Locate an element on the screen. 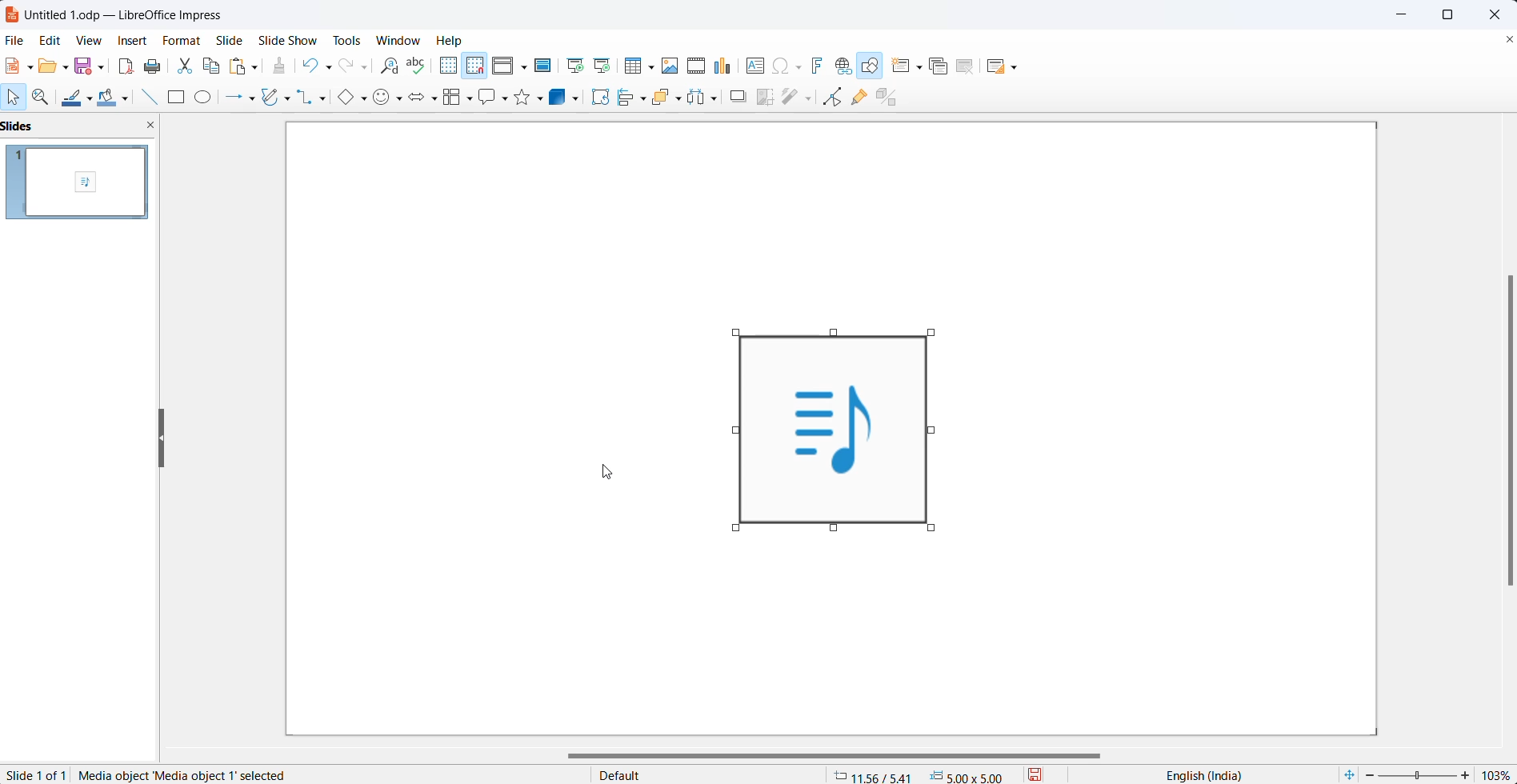 This screenshot has height=784, width=1517. align object options is located at coordinates (643, 101).